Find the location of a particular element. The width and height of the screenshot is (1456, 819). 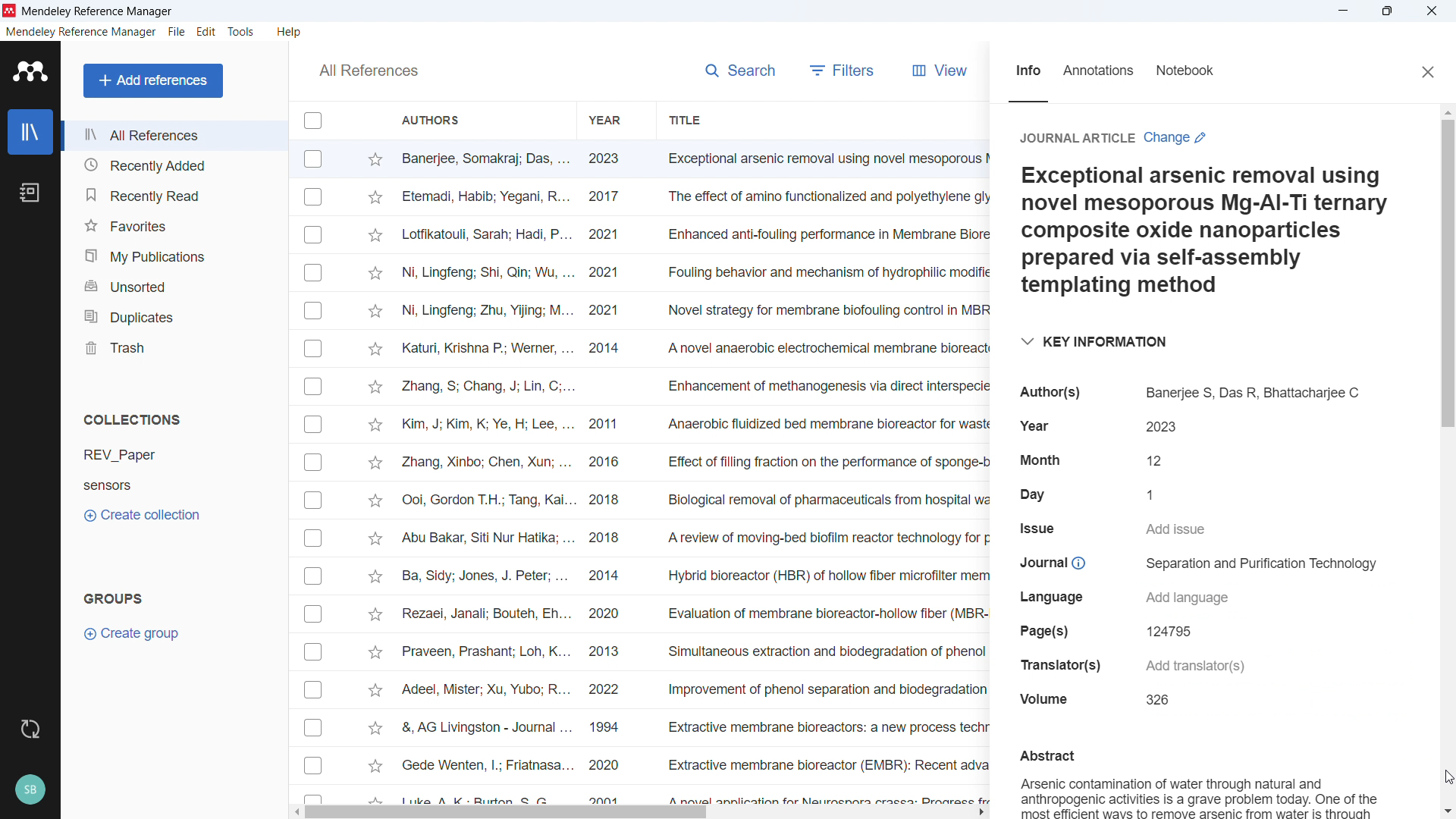

rezaei,janall,boutch,eh is located at coordinates (485, 615).